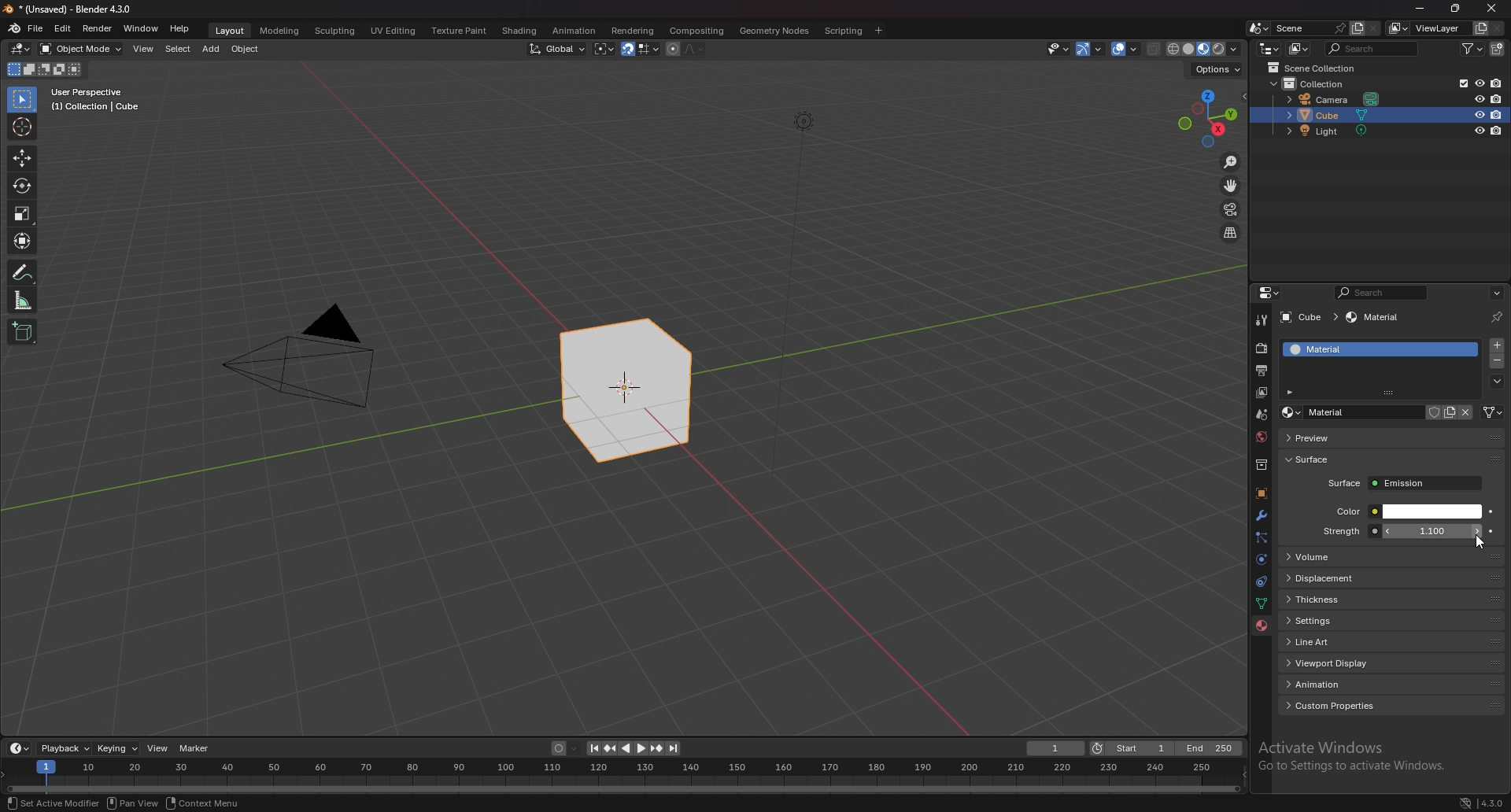 The width and height of the screenshot is (1511, 812). What do you see at coordinates (1393, 705) in the screenshot?
I see `custom properties` at bounding box center [1393, 705].